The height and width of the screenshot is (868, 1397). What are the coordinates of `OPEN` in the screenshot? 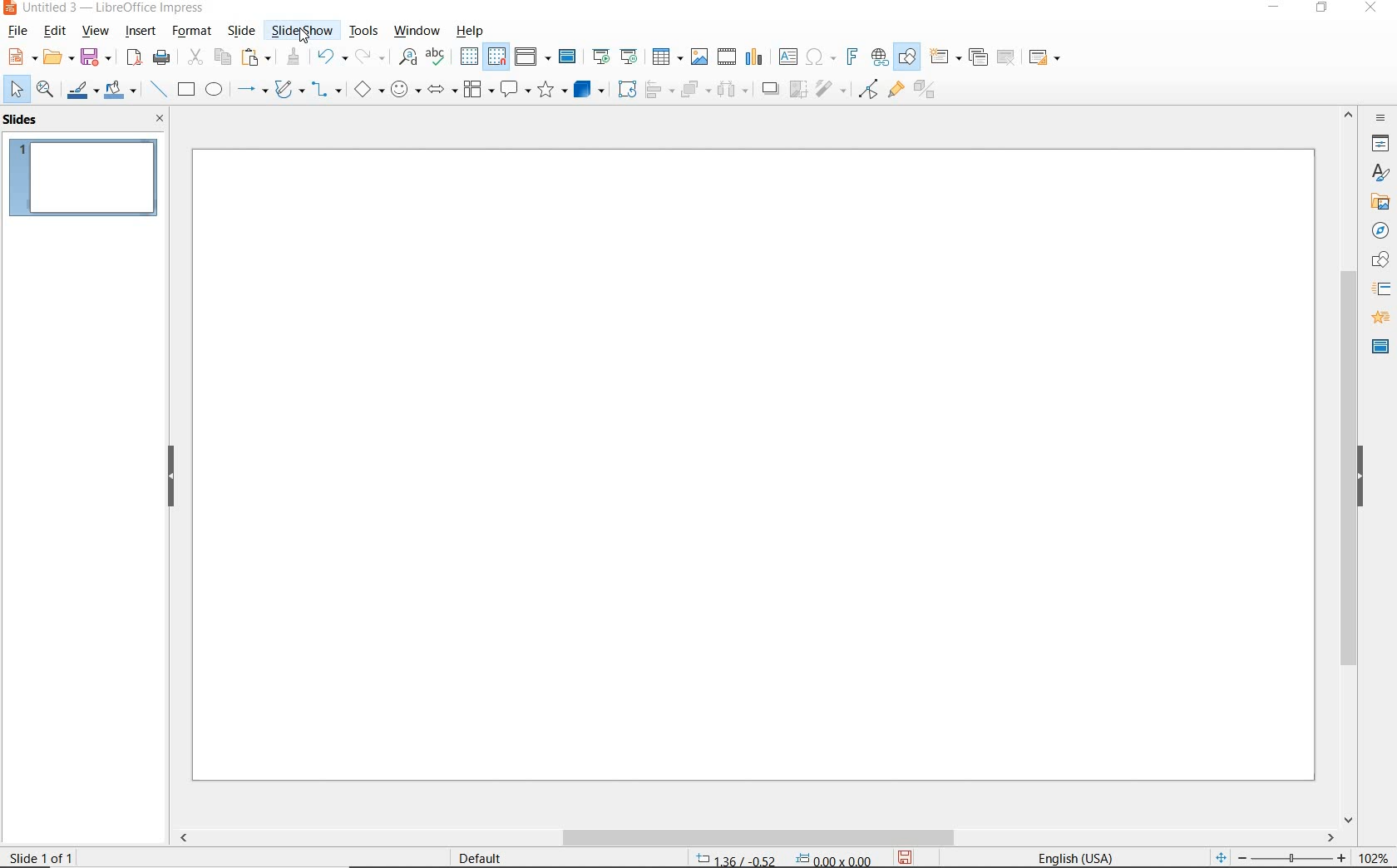 It's located at (57, 57).